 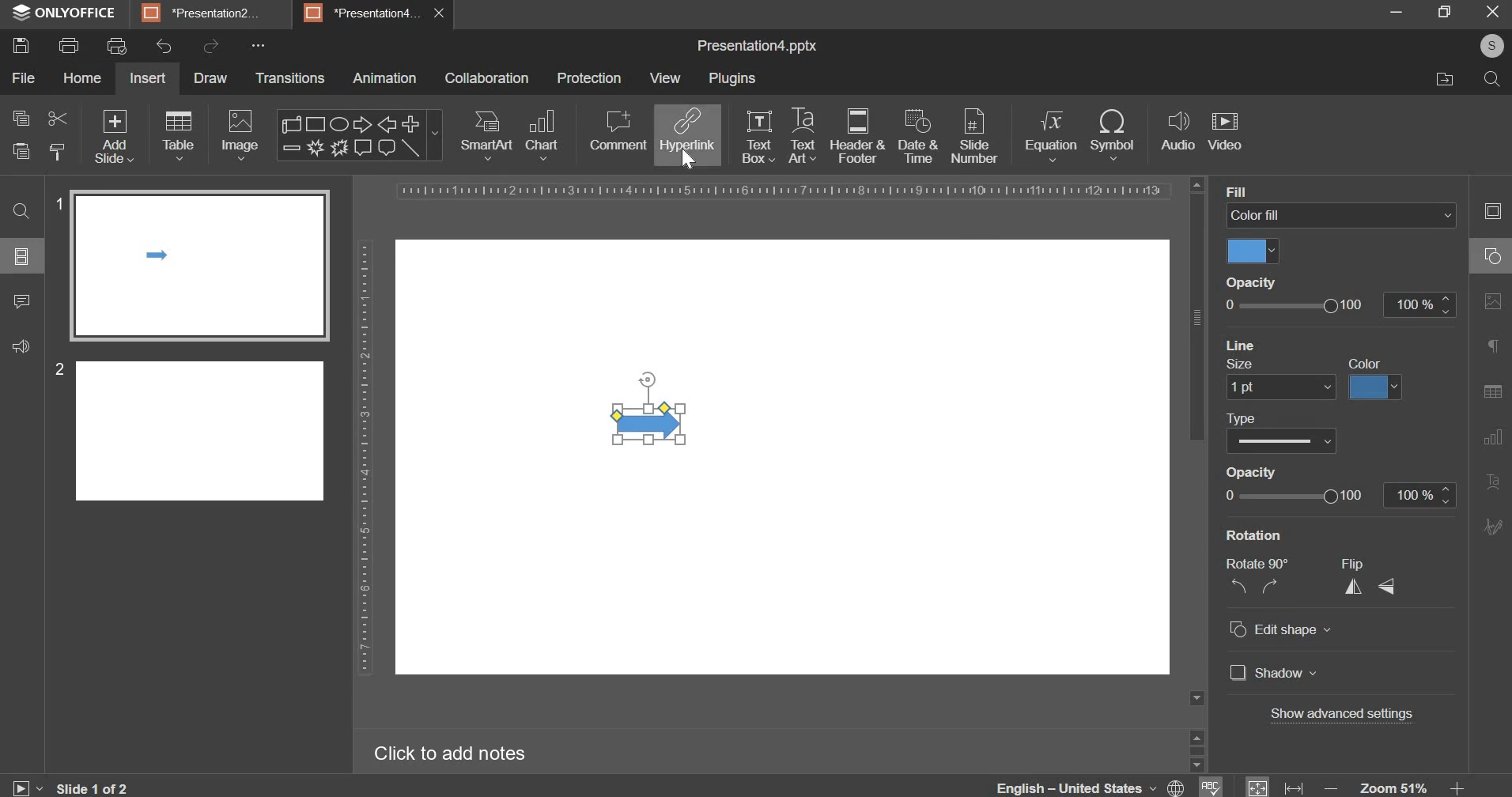 What do you see at coordinates (115, 136) in the screenshot?
I see `add slide` at bounding box center [115, 136].